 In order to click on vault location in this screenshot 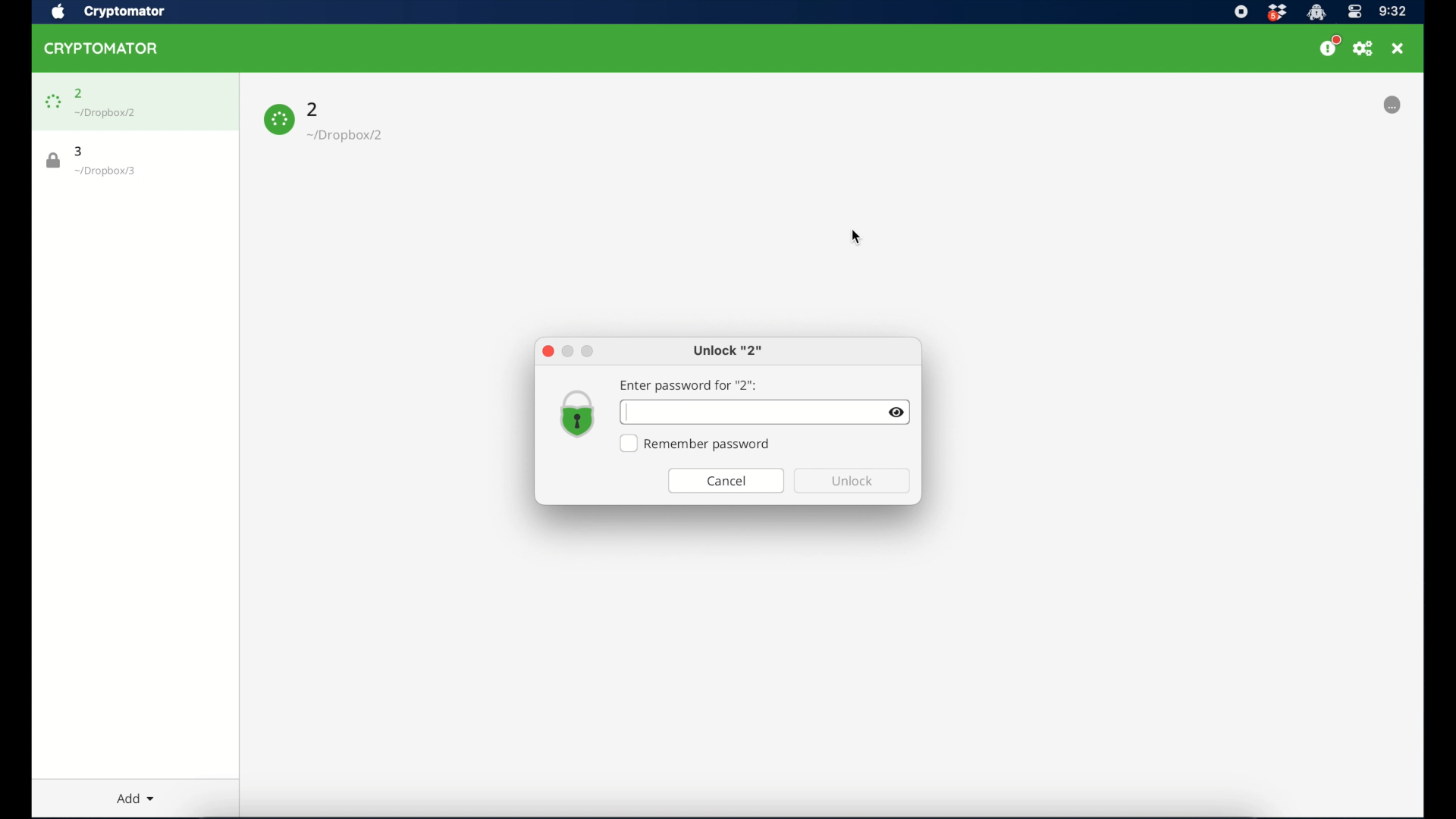, I will do `click(106, 113)`.